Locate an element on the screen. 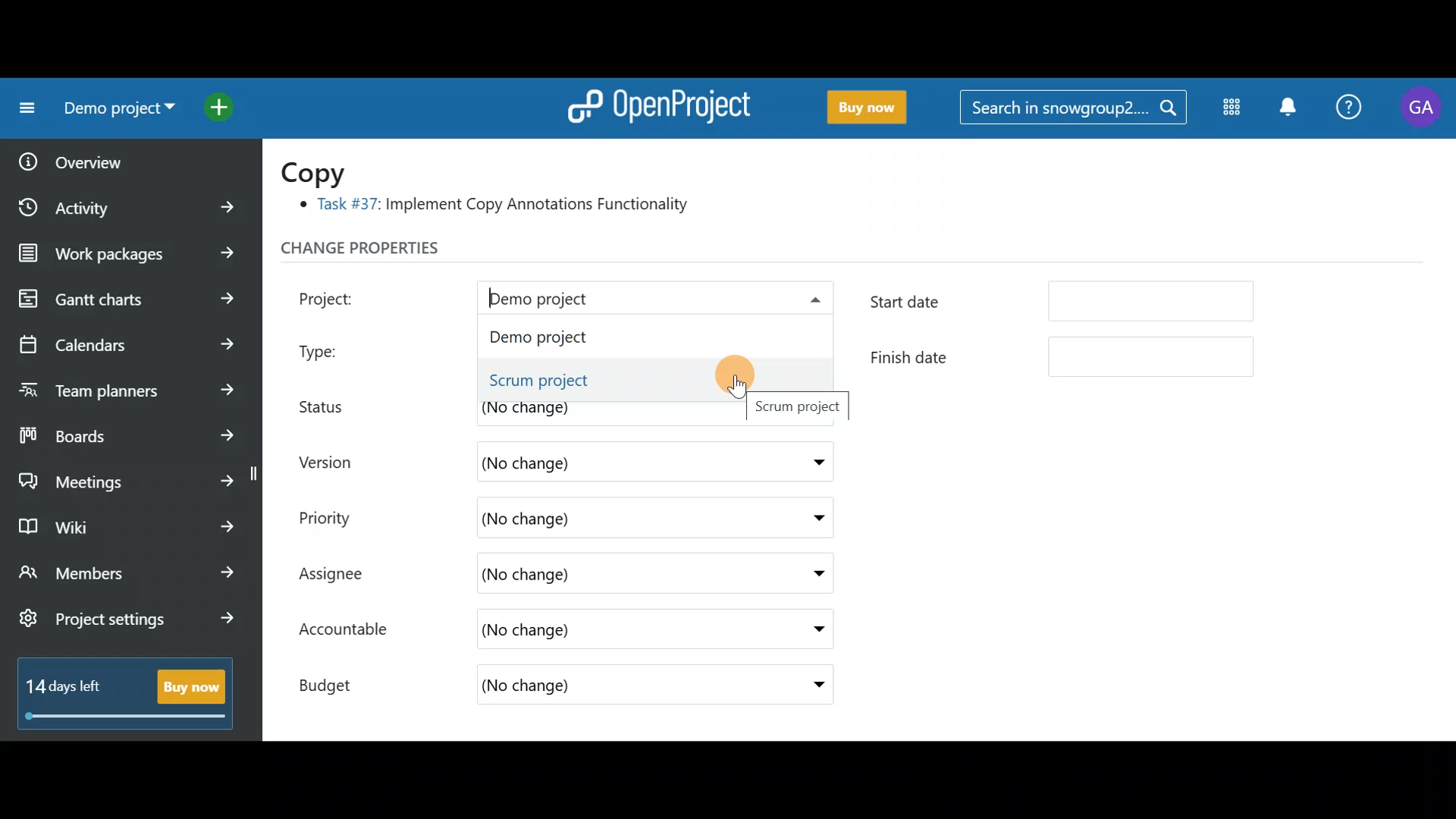 The height and width of the screenshot is (819, 1456). Demo project is located at coordinates (114, 111).